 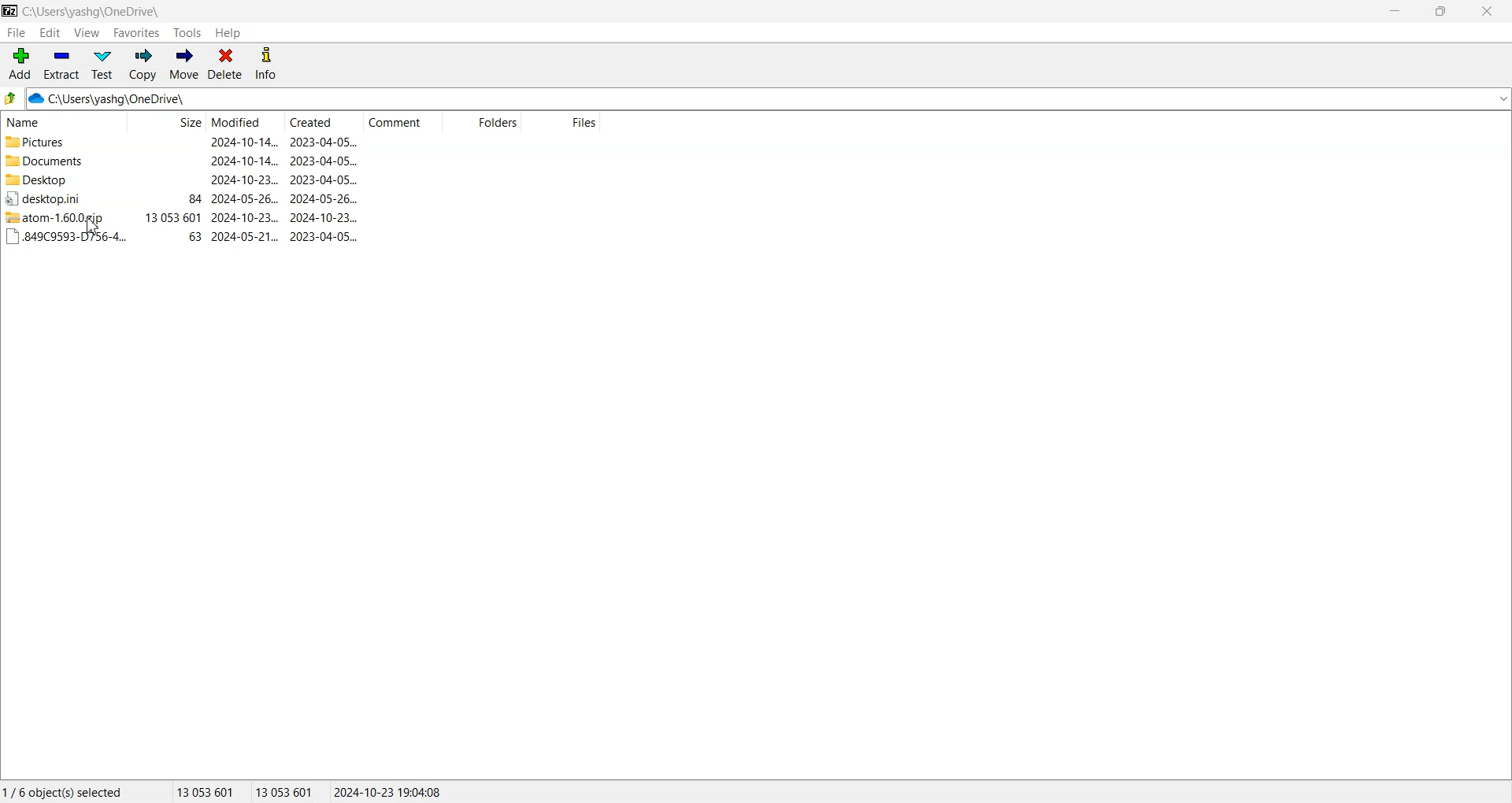 I want to click on Pictures file, so click(x=61, y=142).